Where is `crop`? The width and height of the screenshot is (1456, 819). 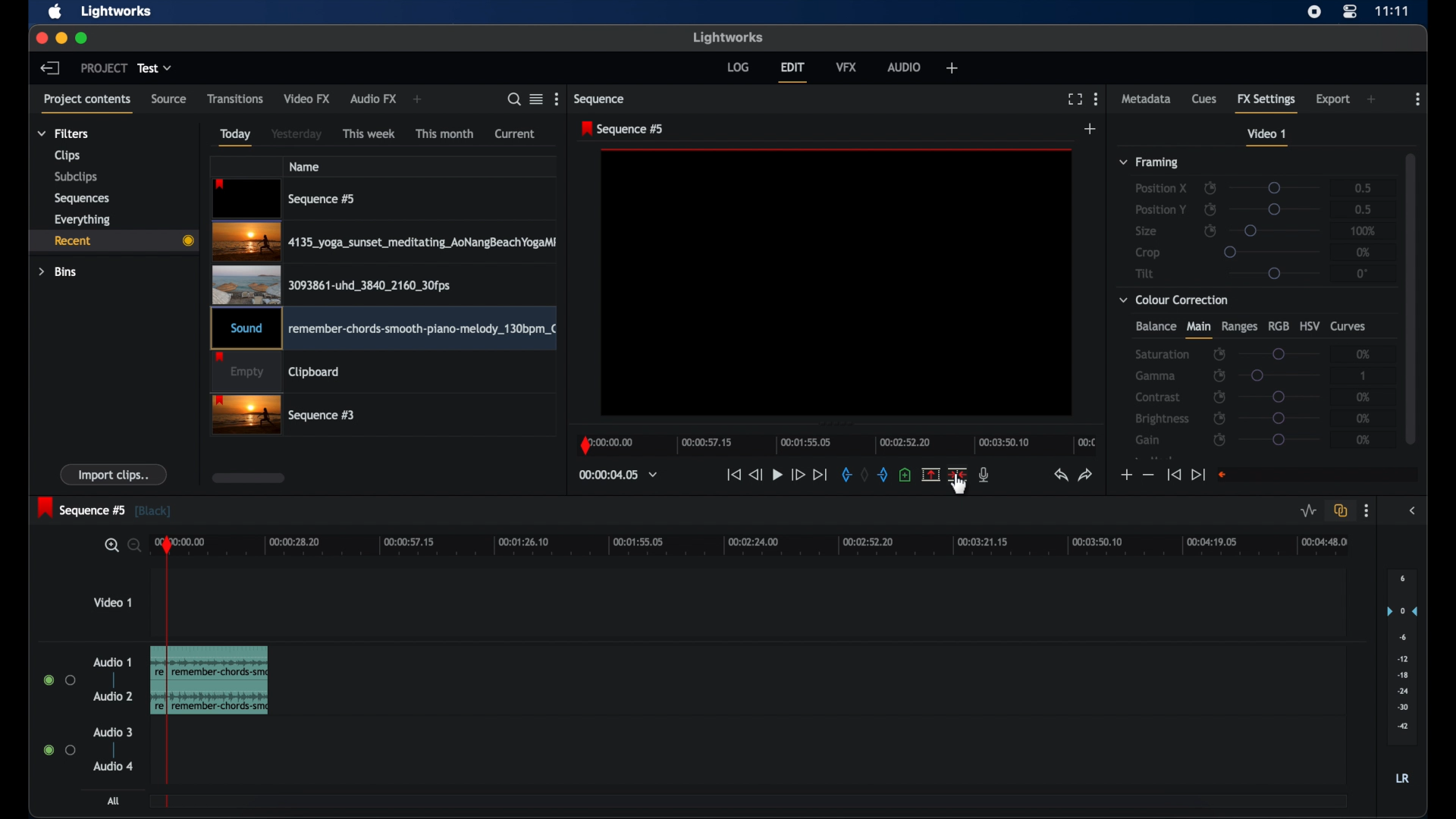
crop is located at coordinates (1148, 253).